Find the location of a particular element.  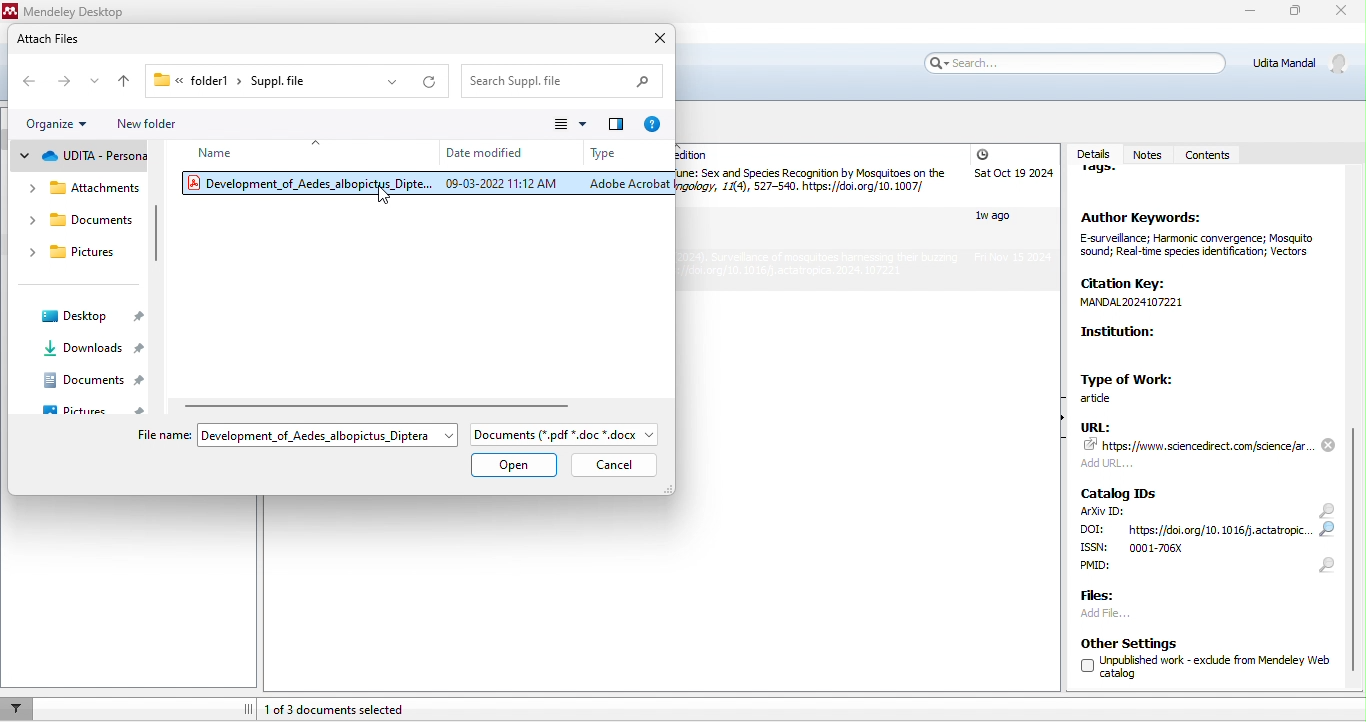

Institution: is located at coordinates (1168, 345).